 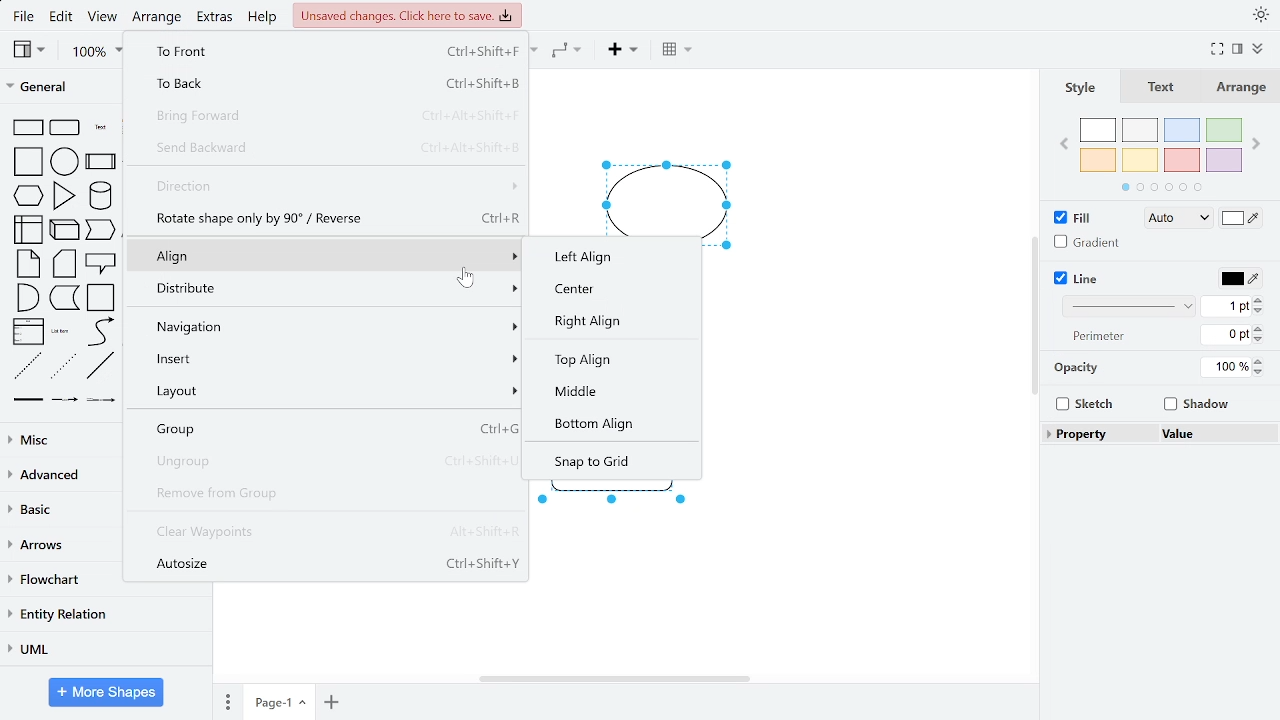 I want to click on top align, so click(x=614, y=361).